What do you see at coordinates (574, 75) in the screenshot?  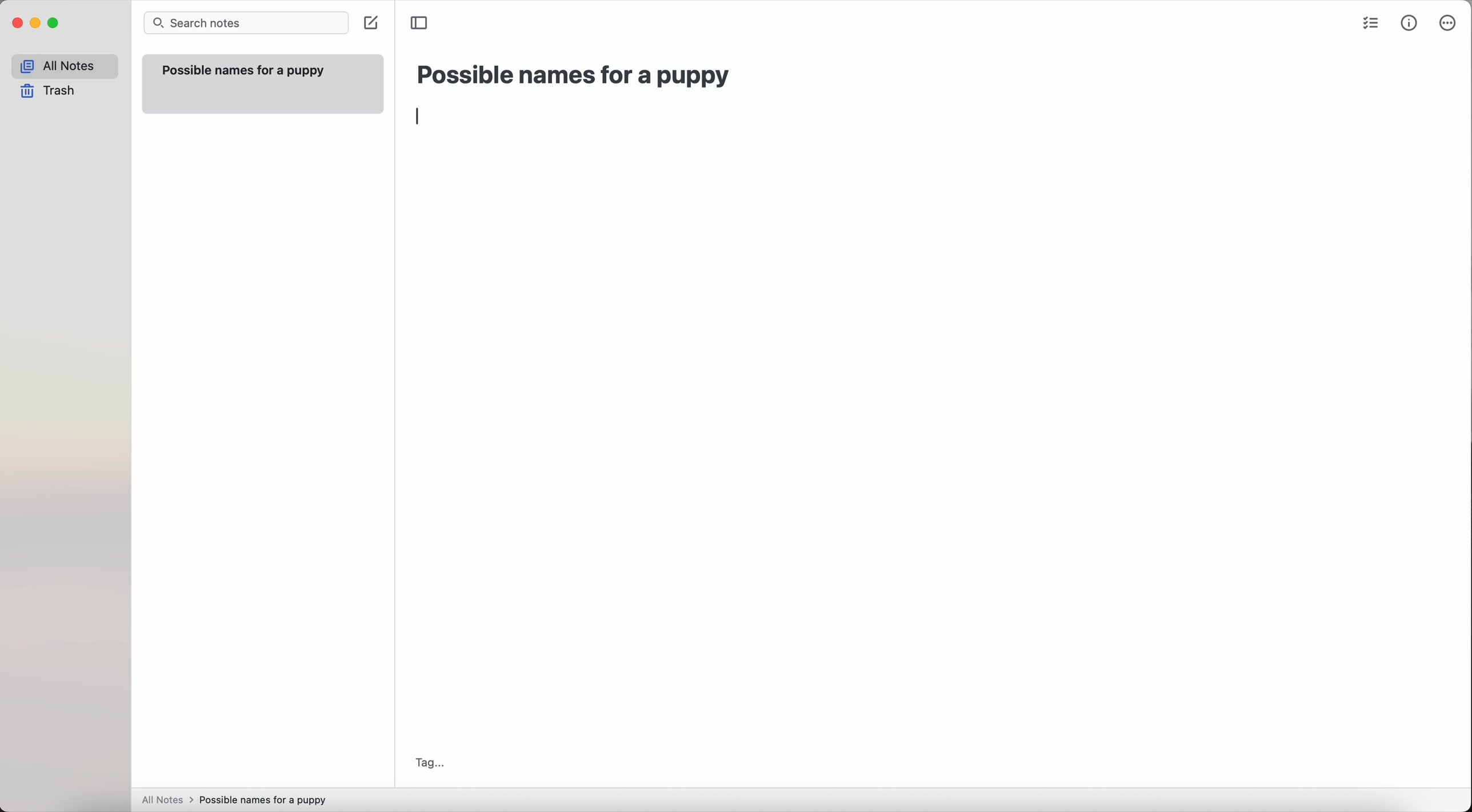 I see `possible names for a puppy` at bounding box center [574, 75].